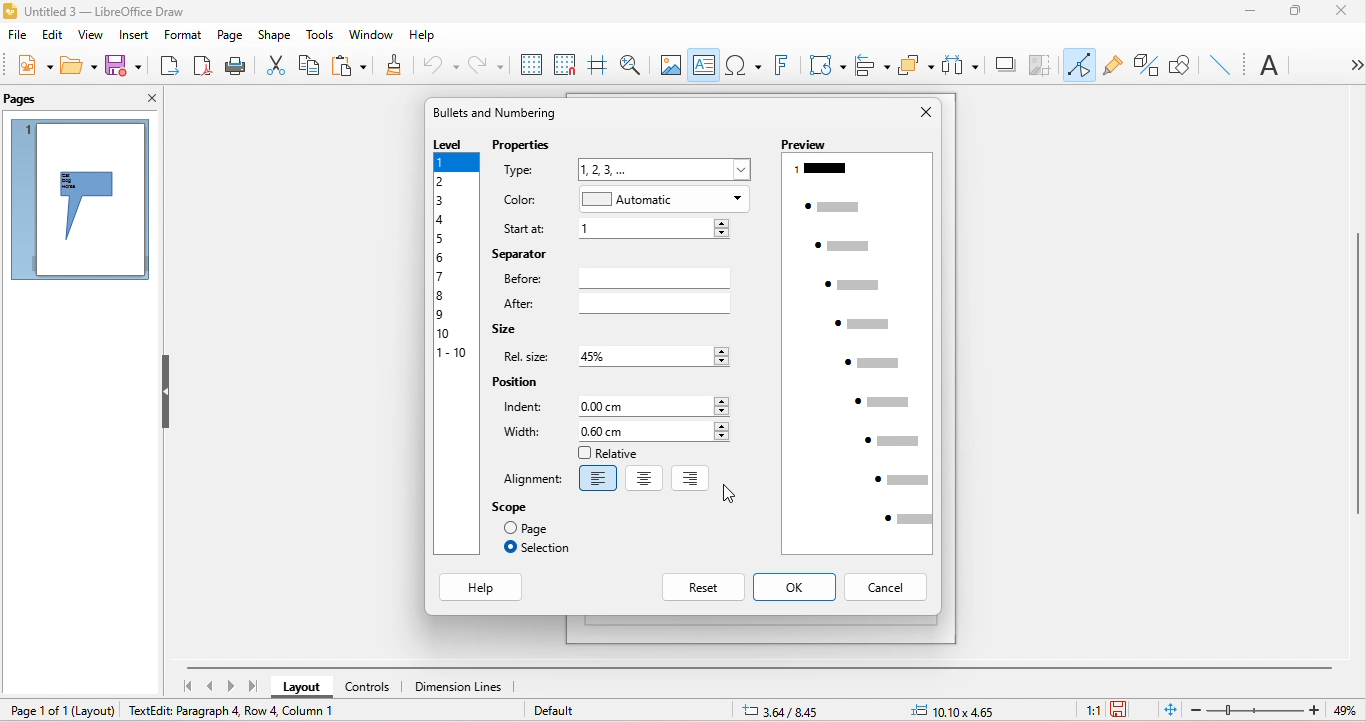  I want to click on pages, so click(25, 98).